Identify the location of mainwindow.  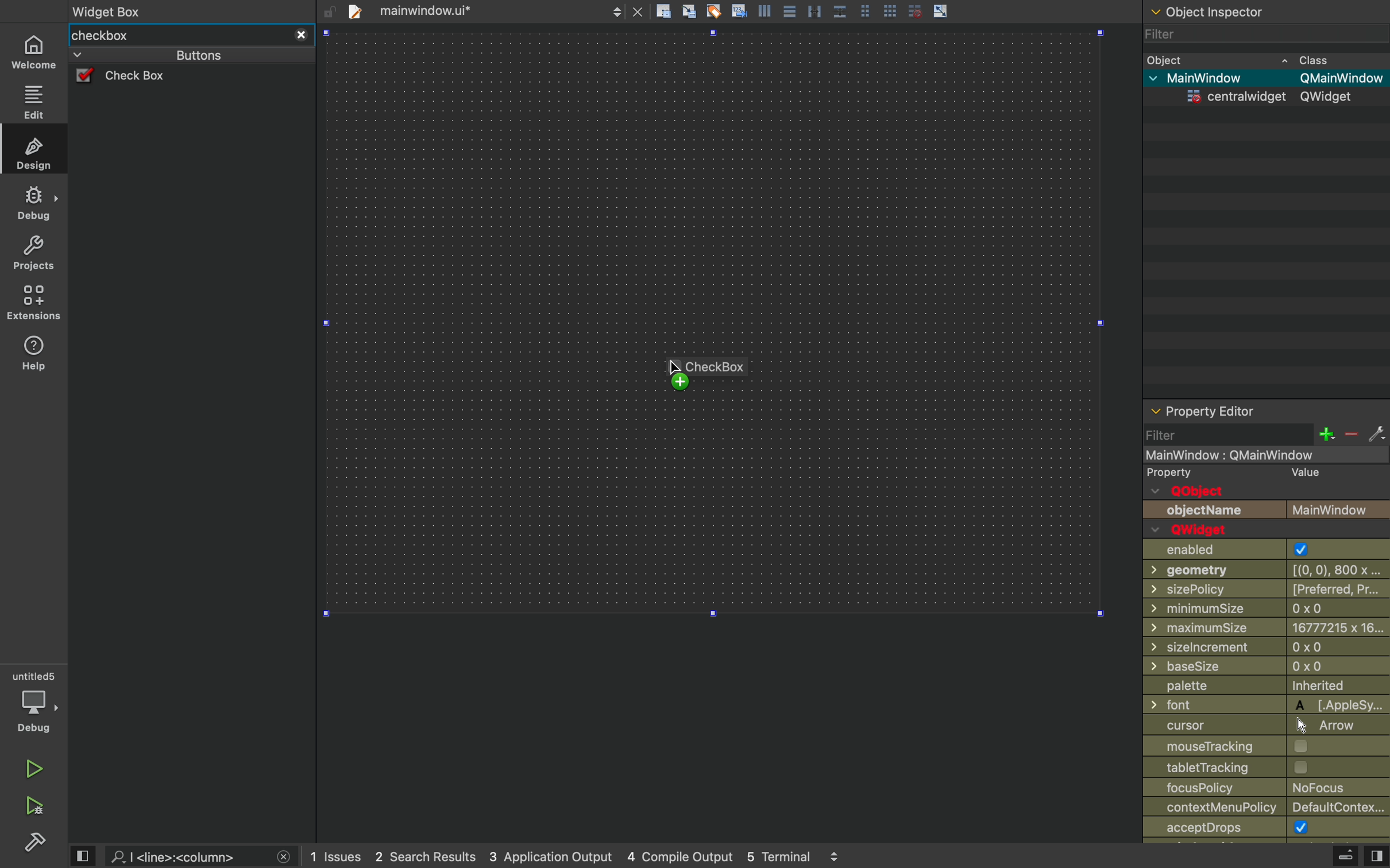
(1266, 78).